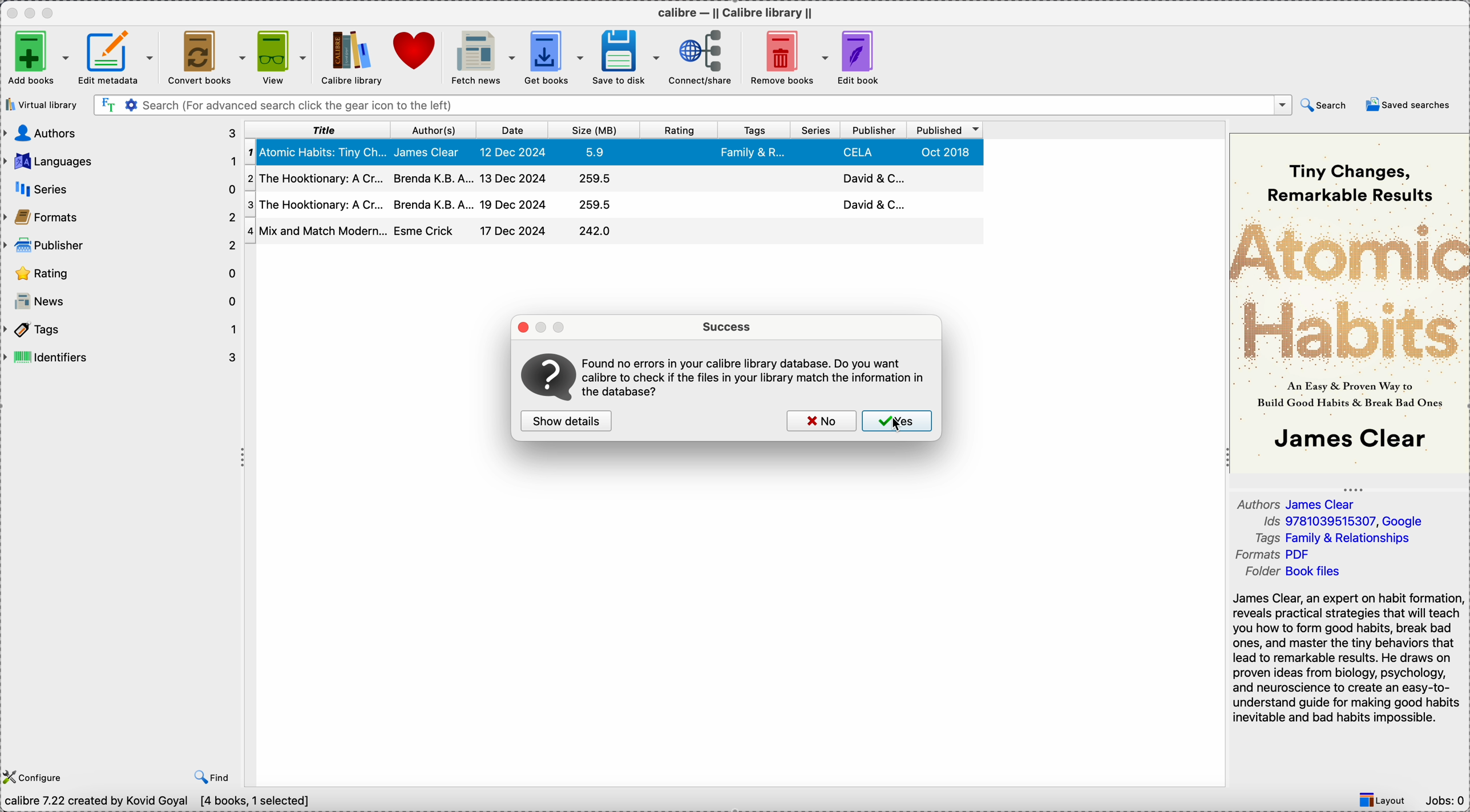 Image resolution: width=1470 pixels, height=812 pixels. What do you see at coordinates (1352, 487) in the screenshot?
I see `hide` at bounding box center [1352, 487].